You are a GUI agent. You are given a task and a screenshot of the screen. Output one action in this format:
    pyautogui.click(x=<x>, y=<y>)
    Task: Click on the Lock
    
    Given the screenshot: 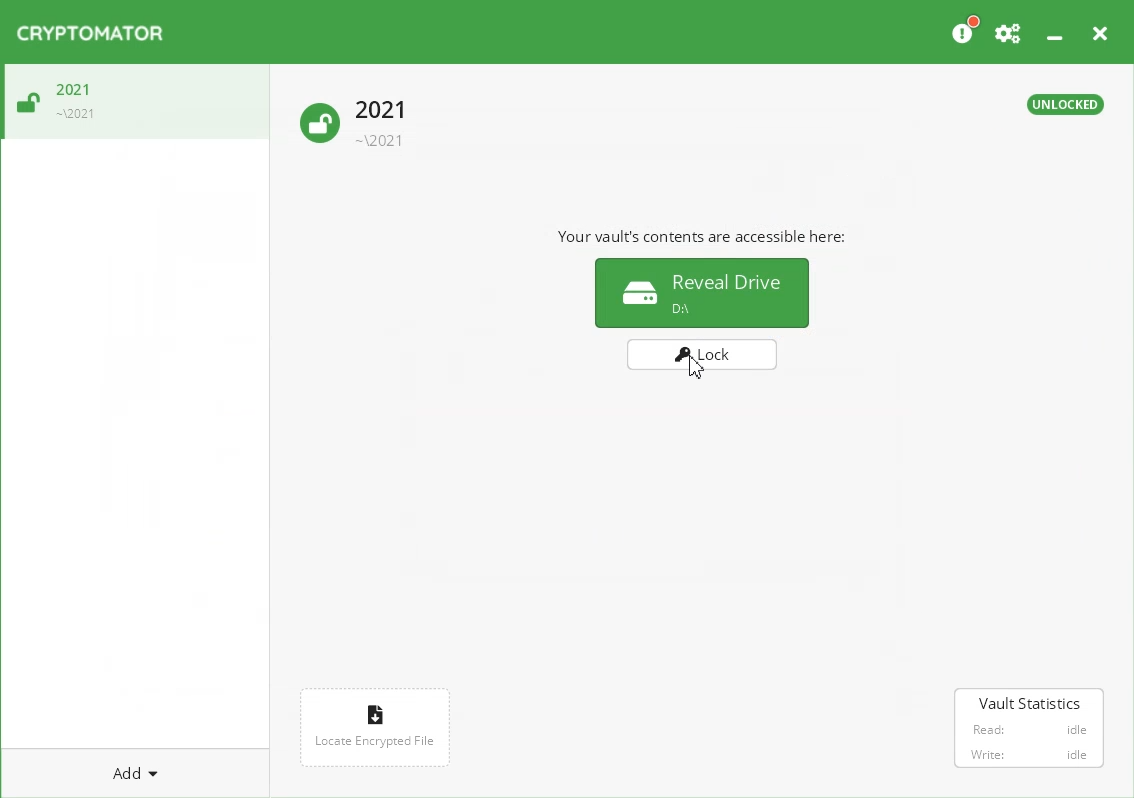 What is the action you would take?
    pyautogui.click(x=705, y=361)
    